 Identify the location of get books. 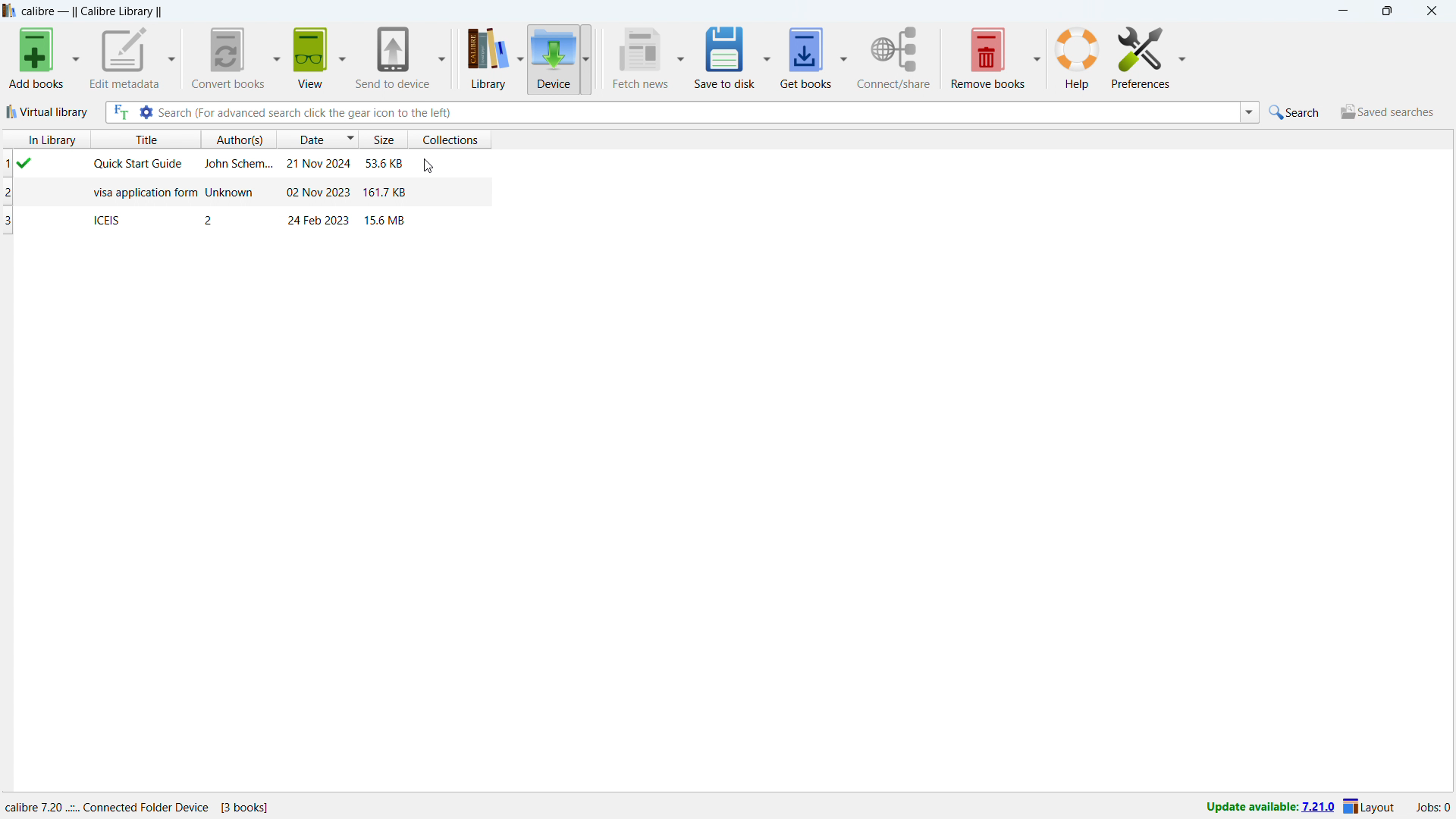
(805, 56).